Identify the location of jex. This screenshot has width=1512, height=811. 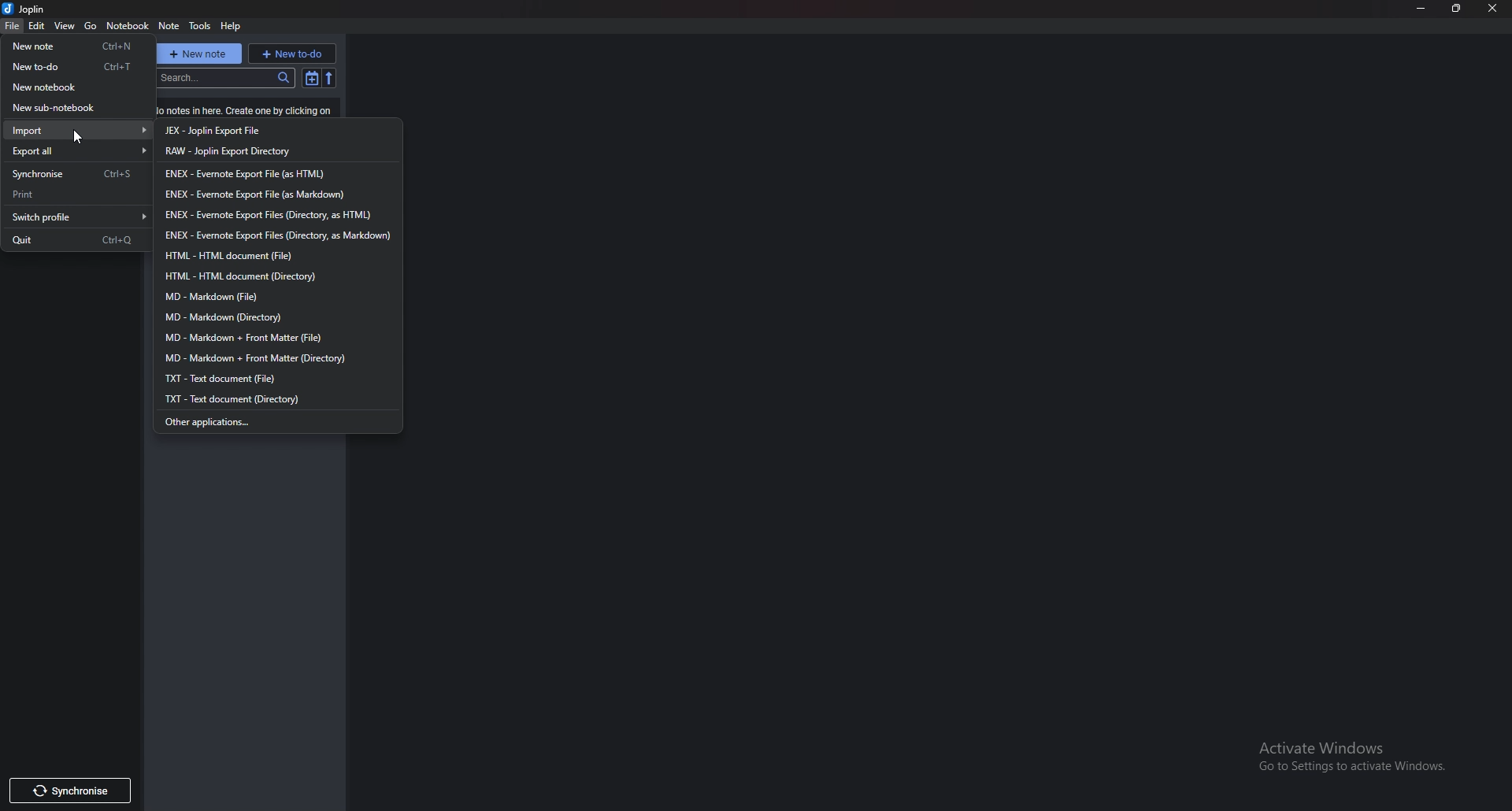
(243, 131).